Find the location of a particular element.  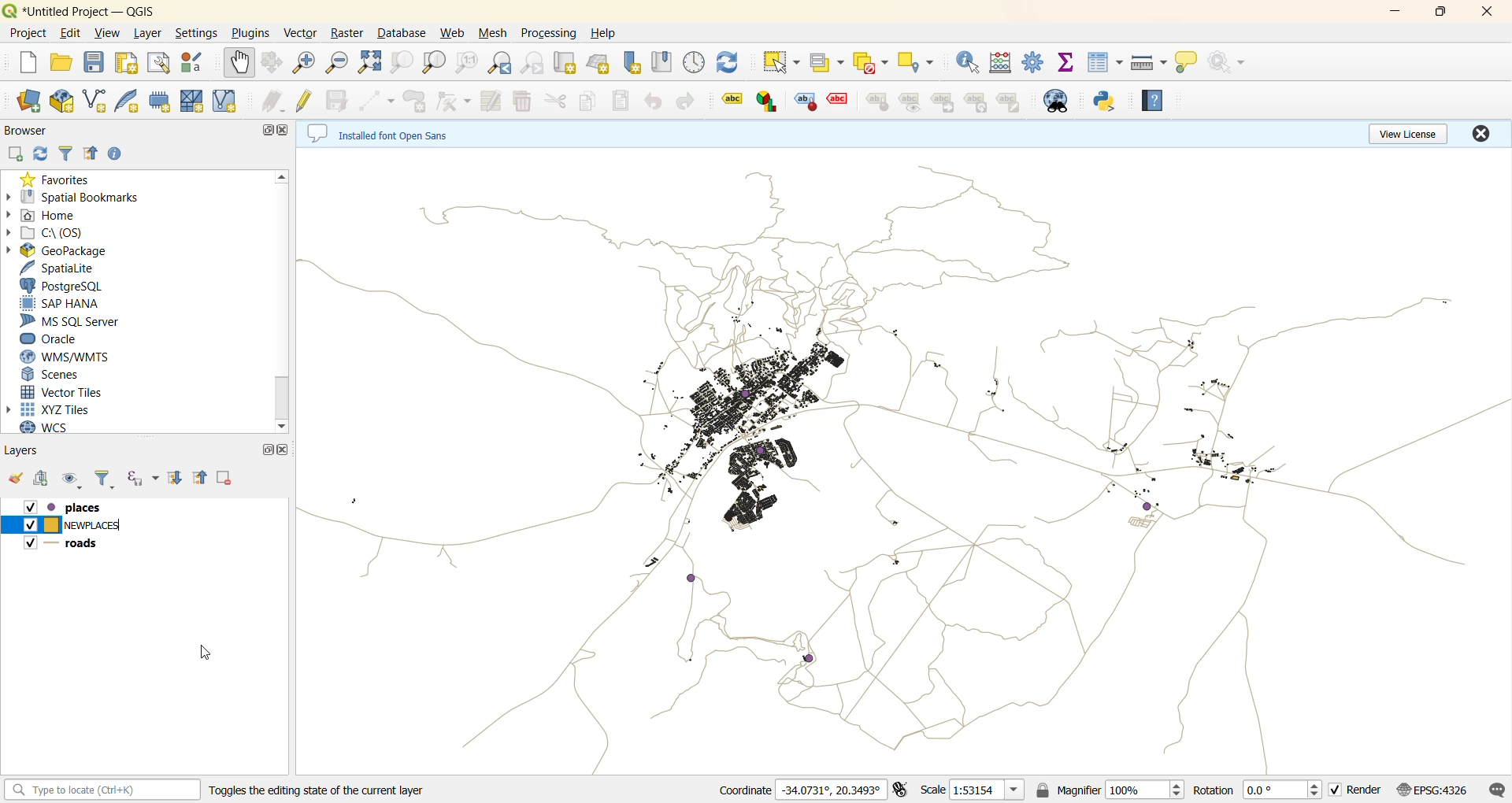

layer is located at coordinates (149, 32).